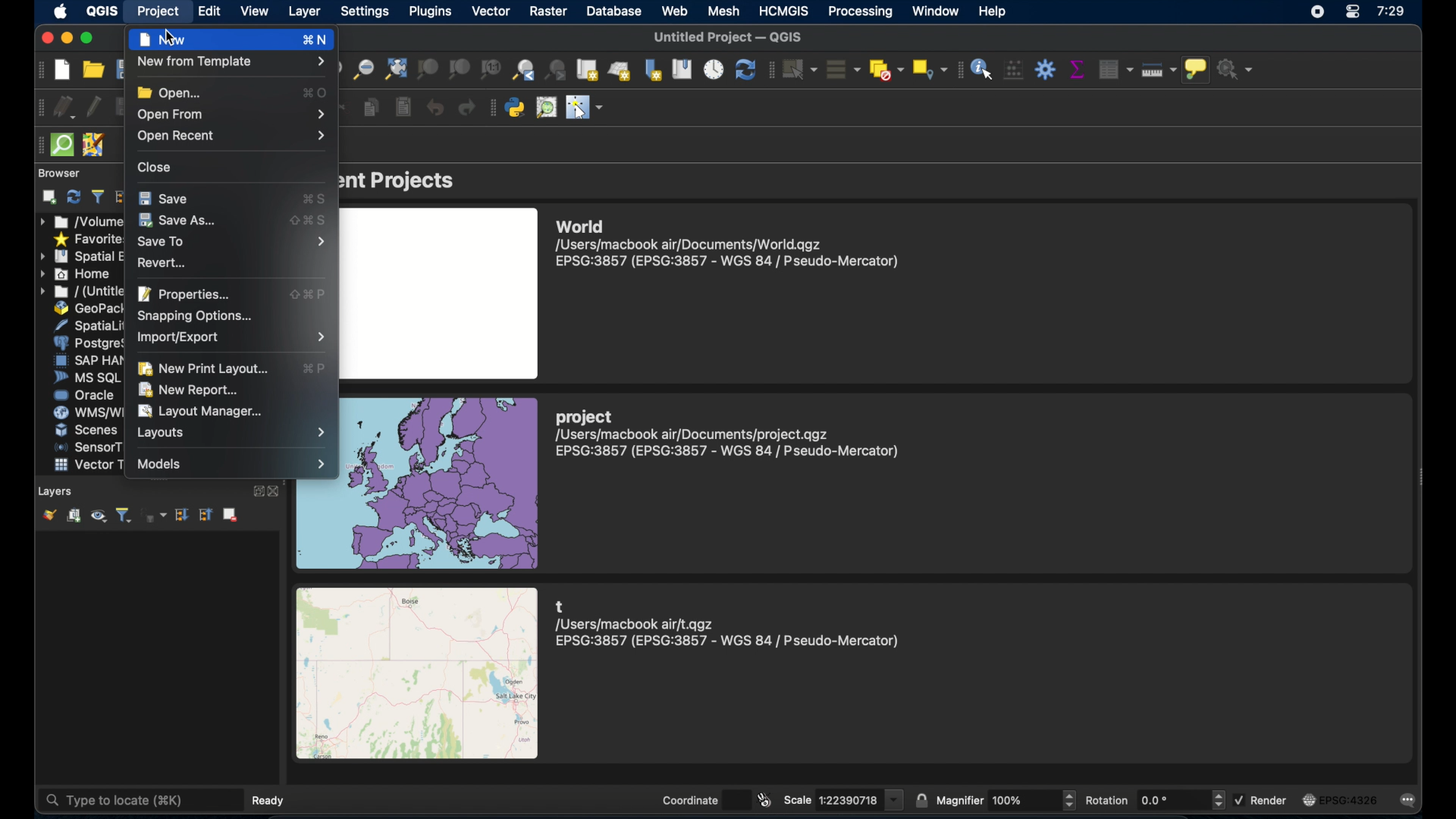 The image size is (1456, 819). I want to click on expand, so click(256, 491).